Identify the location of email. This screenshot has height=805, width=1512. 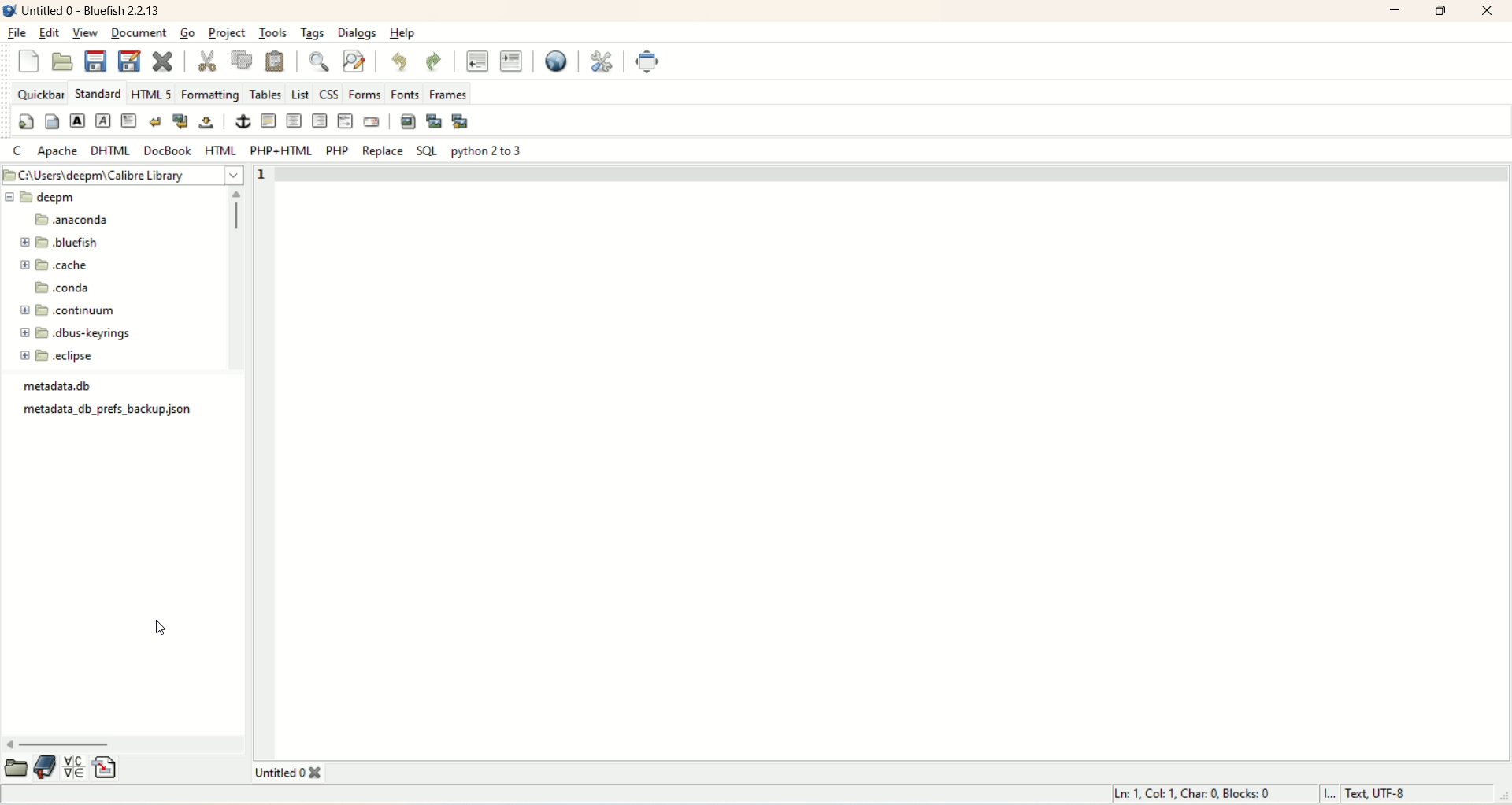
(372, 122).